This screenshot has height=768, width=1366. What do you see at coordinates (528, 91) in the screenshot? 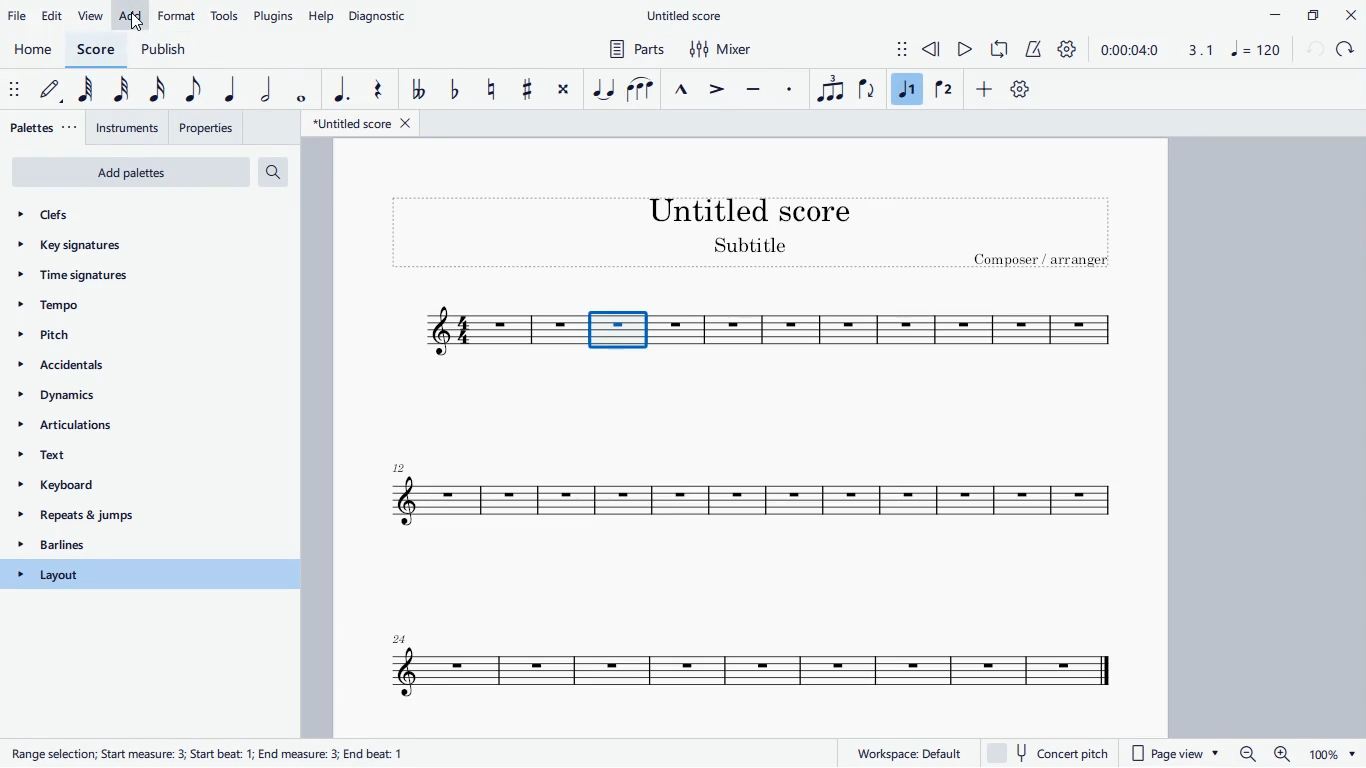
I see `toggle sharp` at bounding box center [528, 91].